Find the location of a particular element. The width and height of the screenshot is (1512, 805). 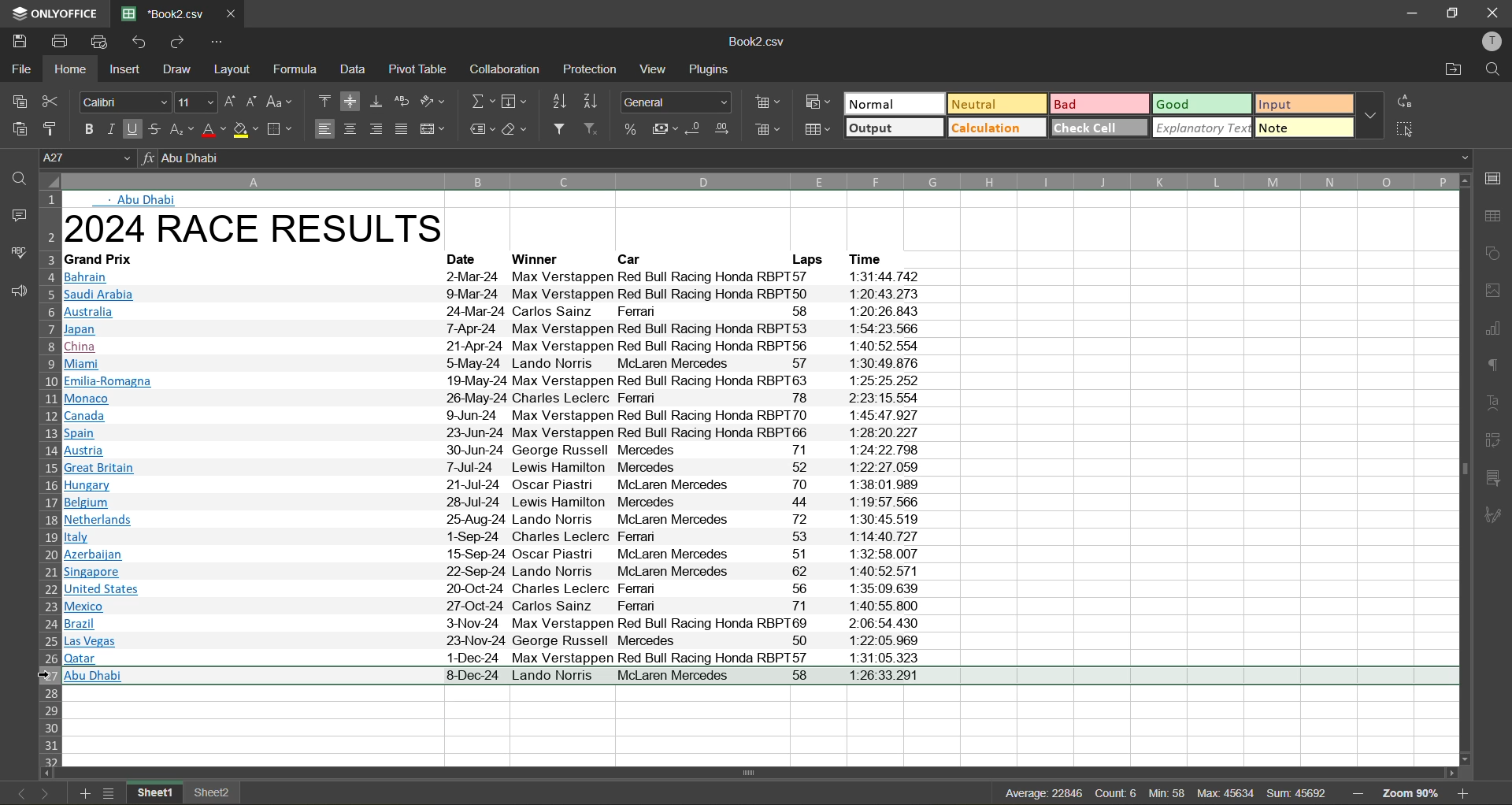

cell address is located at coordinates (88, 156).